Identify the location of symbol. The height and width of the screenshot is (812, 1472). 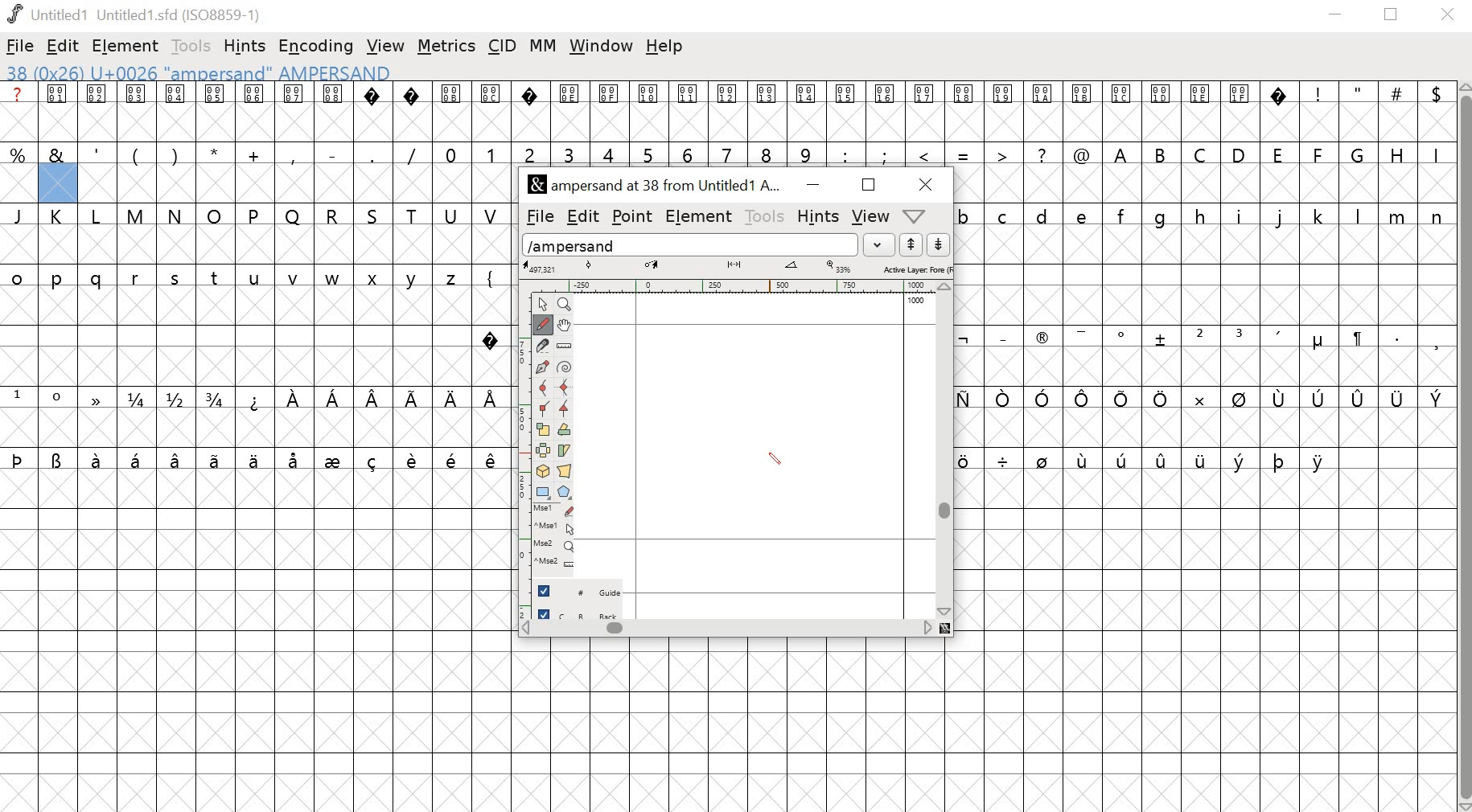
(98, 399).